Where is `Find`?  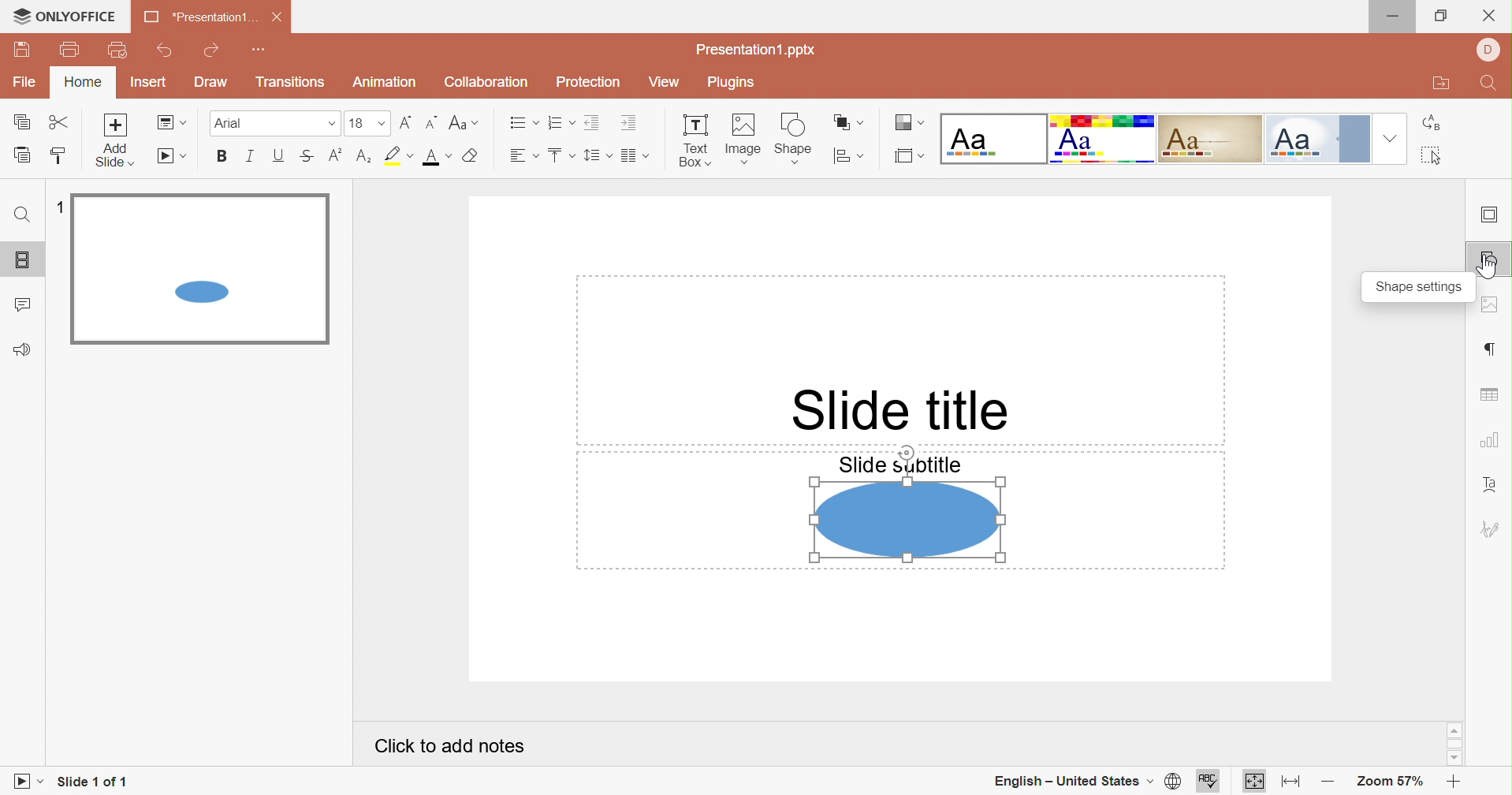 Find is located at coordinates (1489, 85).